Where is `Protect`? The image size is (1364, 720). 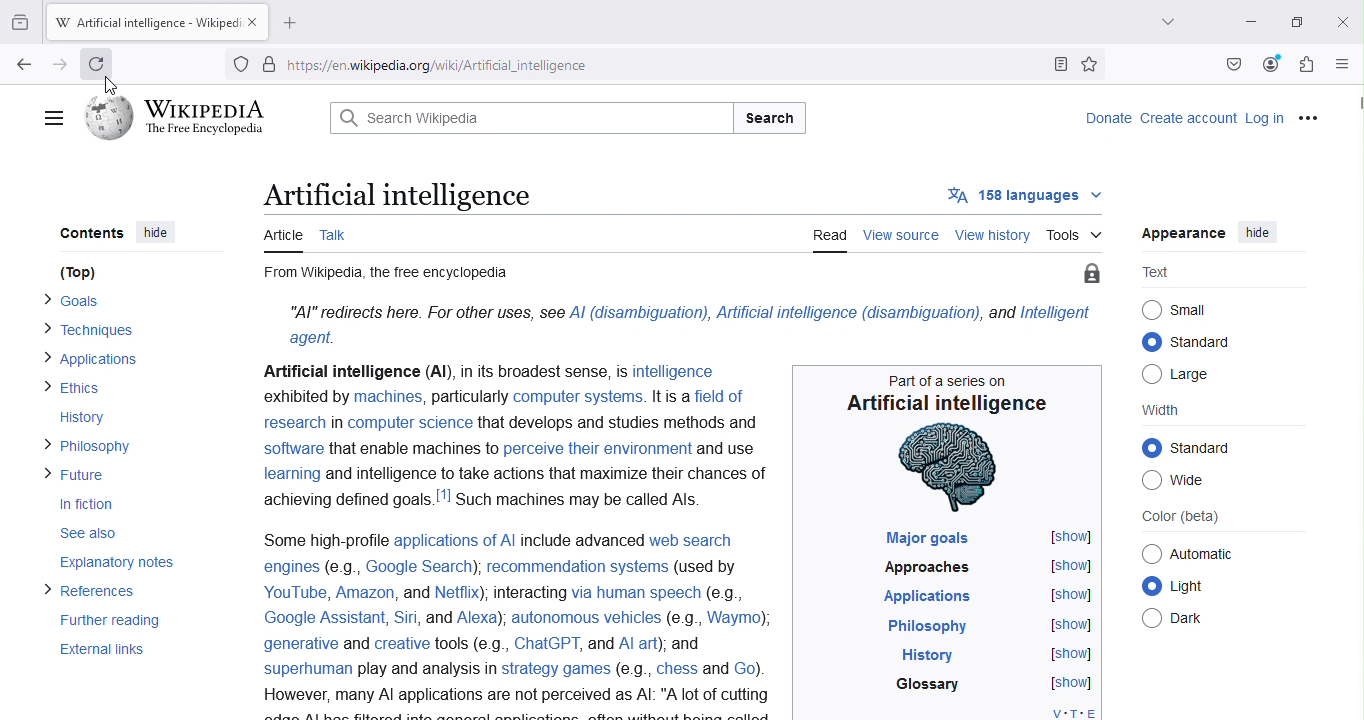 Protect is located at coordinates (1098, 273).